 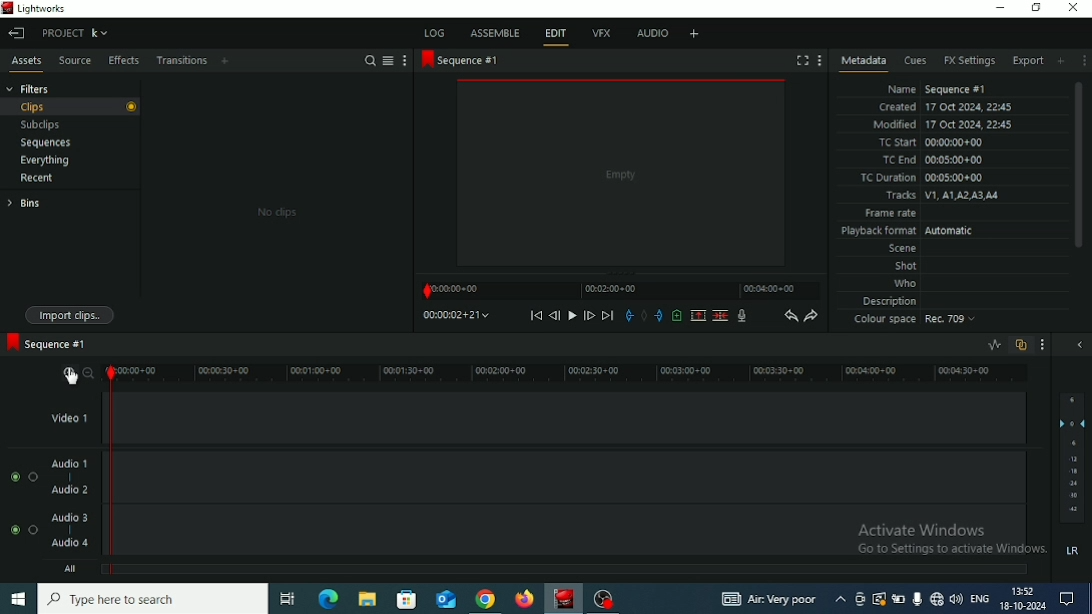 What do you see at coordinates (916, 599) in the screenshot?
I see `Mic` at bounding box center [916, 599].